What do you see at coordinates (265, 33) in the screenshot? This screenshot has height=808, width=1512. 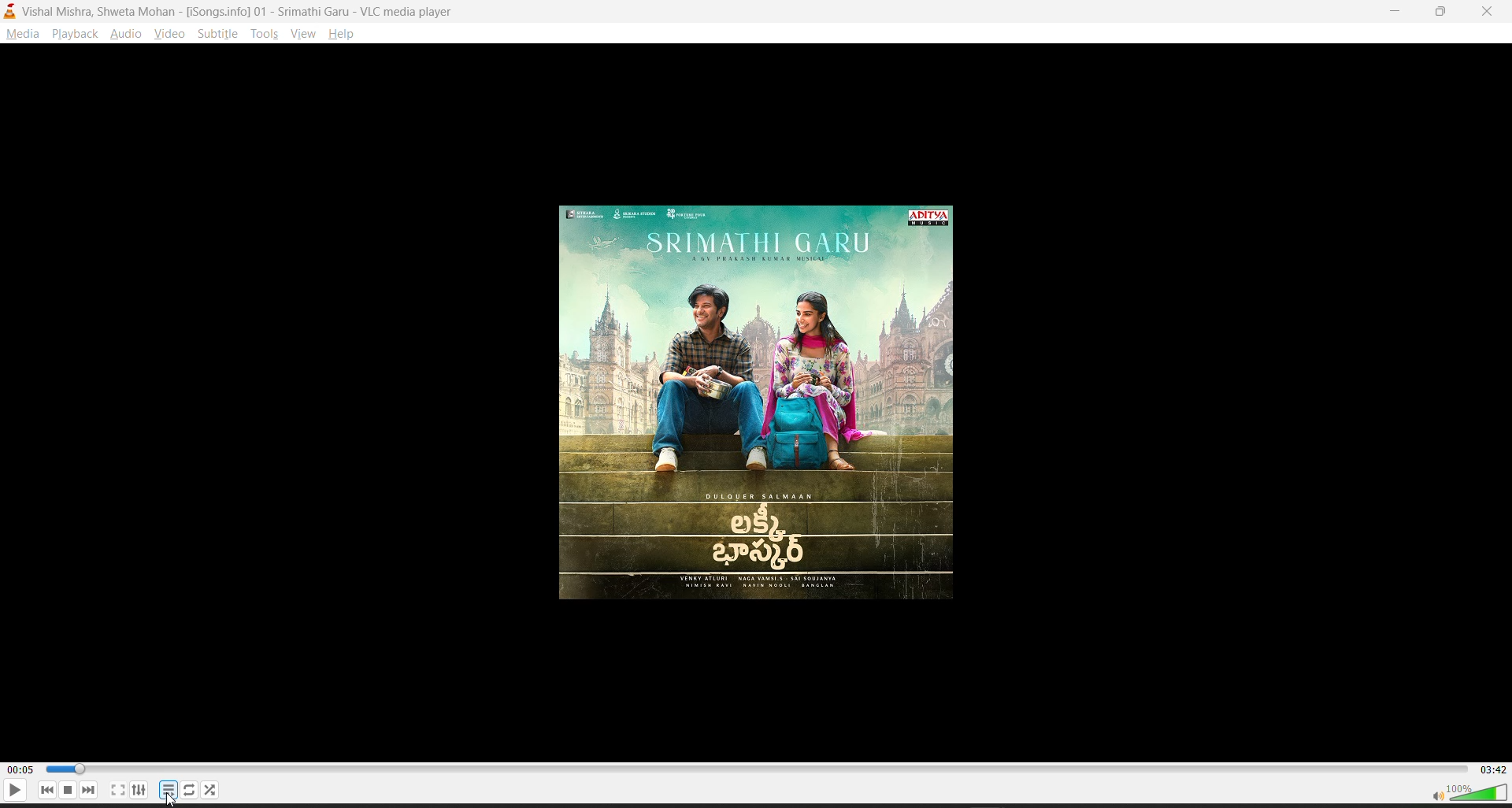 I see `tools` at bounding box center [265, 33].